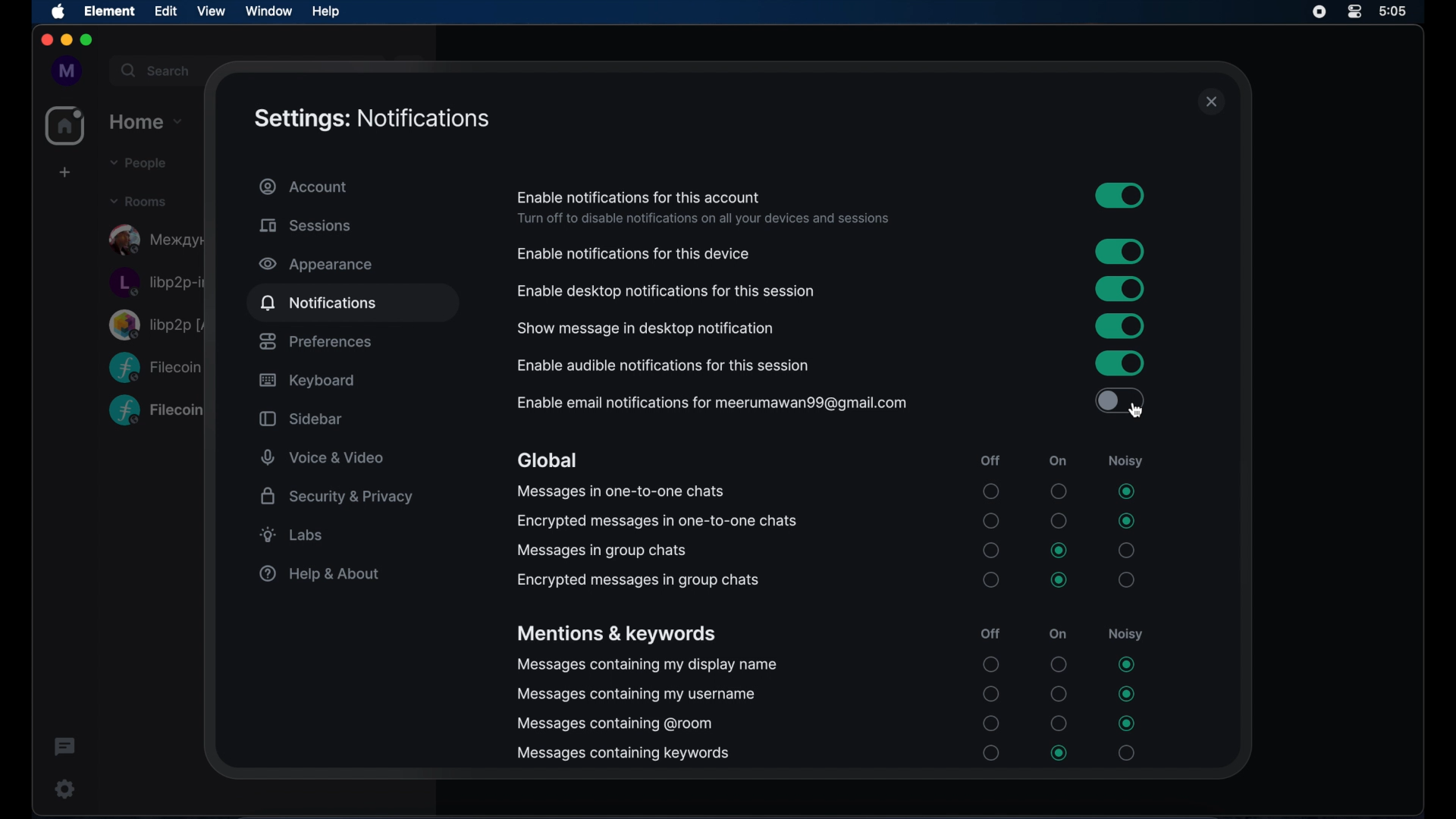 This screenshot has height=819, width=1456. I want to click on security and privacy, so click(337, 496).